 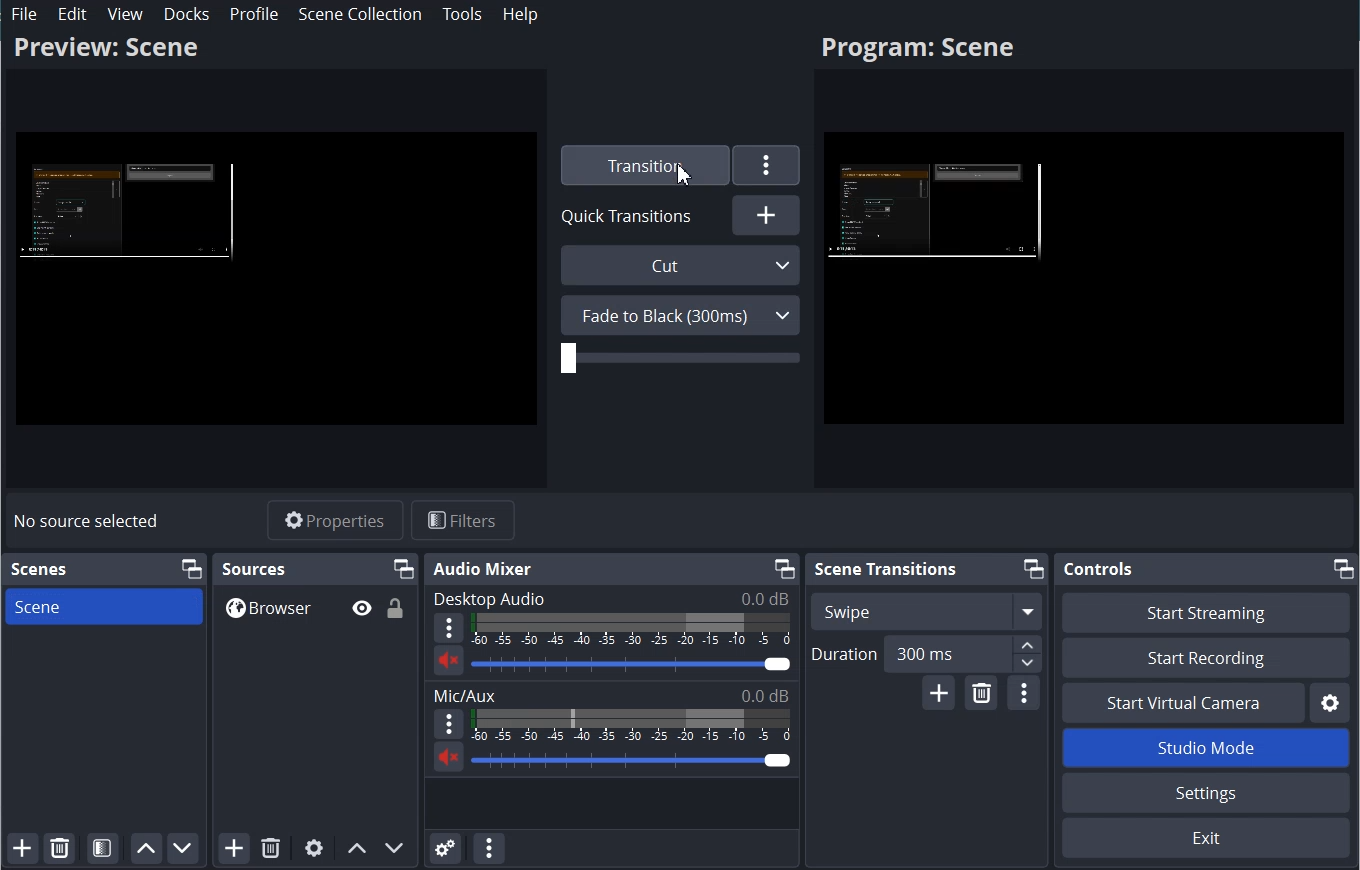 I want to click on Audio Mixer, so click(x=485, y=569).